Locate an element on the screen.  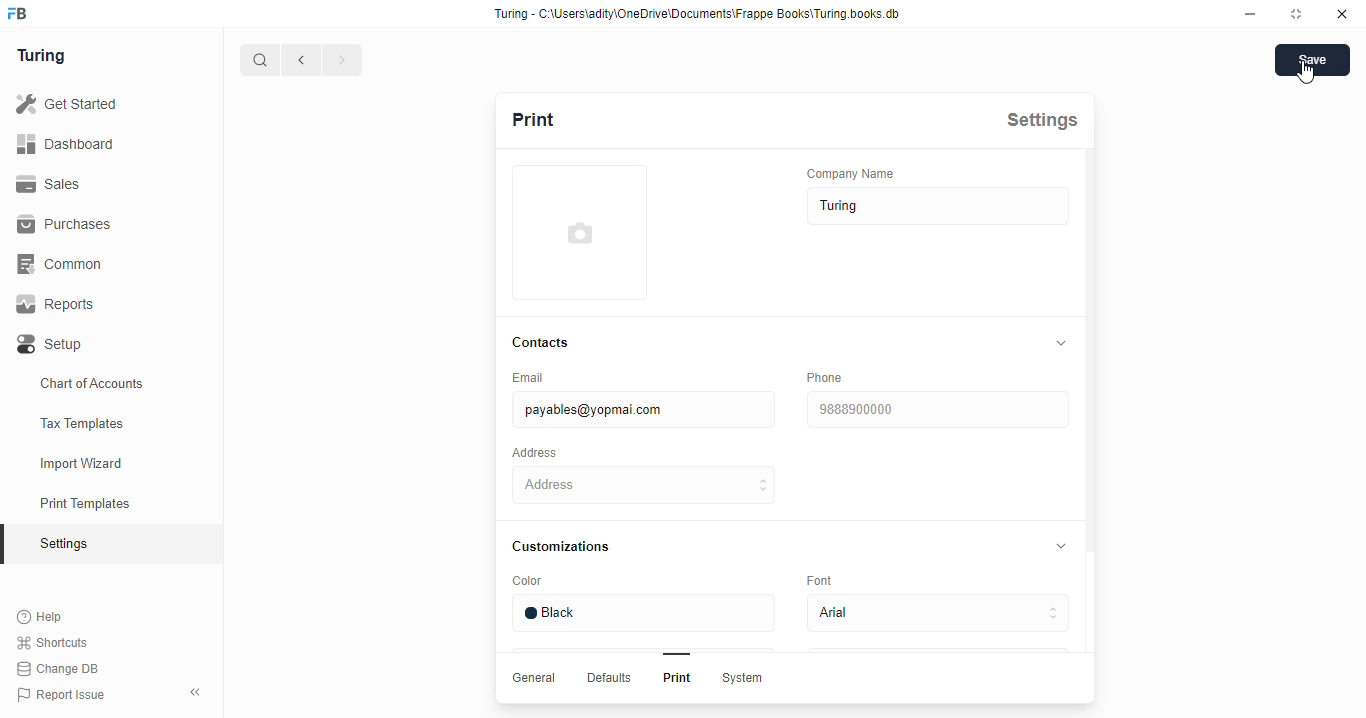
Tax Templates is located at coordinates (110, 424).